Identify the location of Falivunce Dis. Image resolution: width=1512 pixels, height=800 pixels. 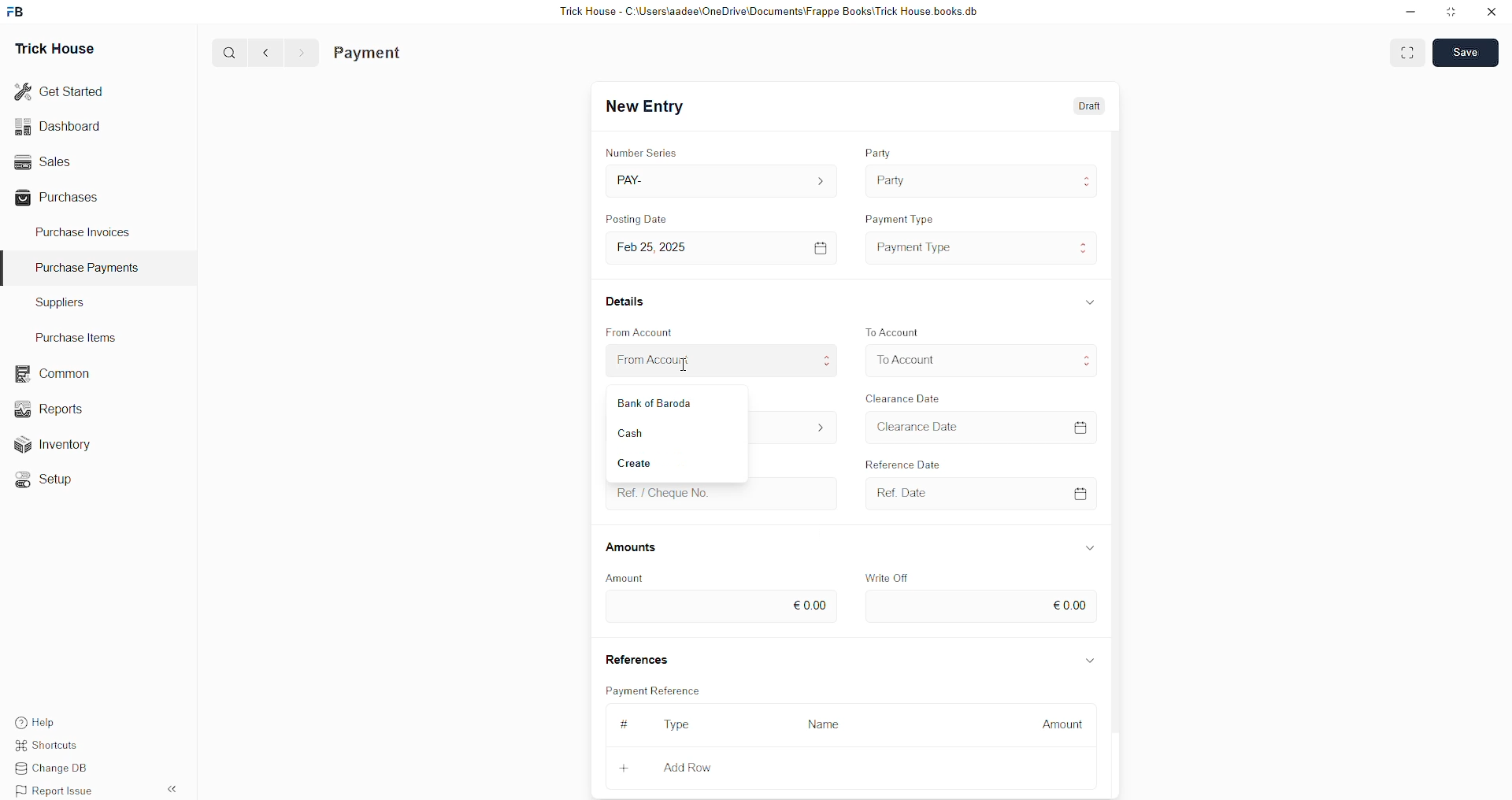
(914, 461).